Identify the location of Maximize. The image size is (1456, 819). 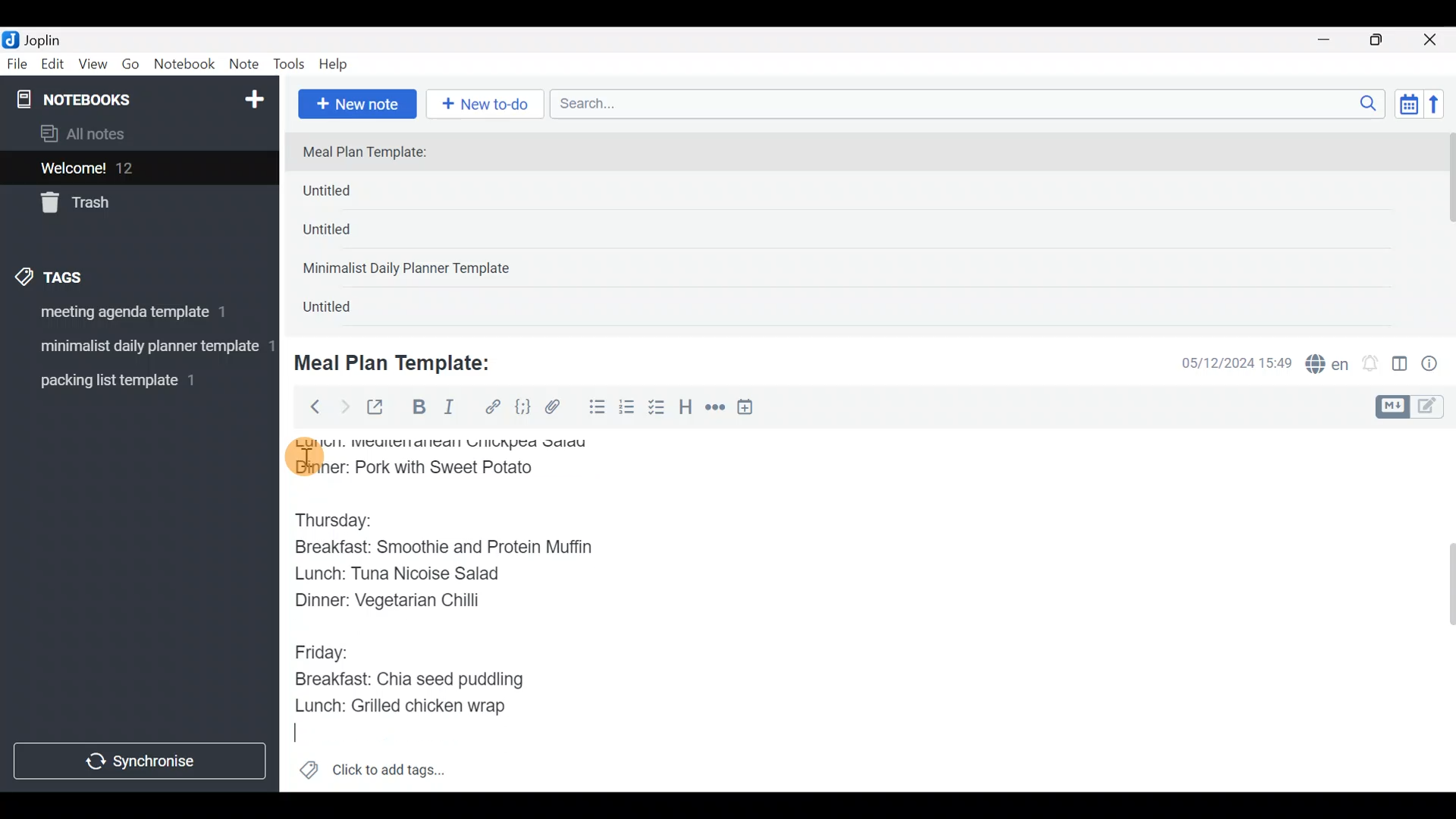
(1385, 40).